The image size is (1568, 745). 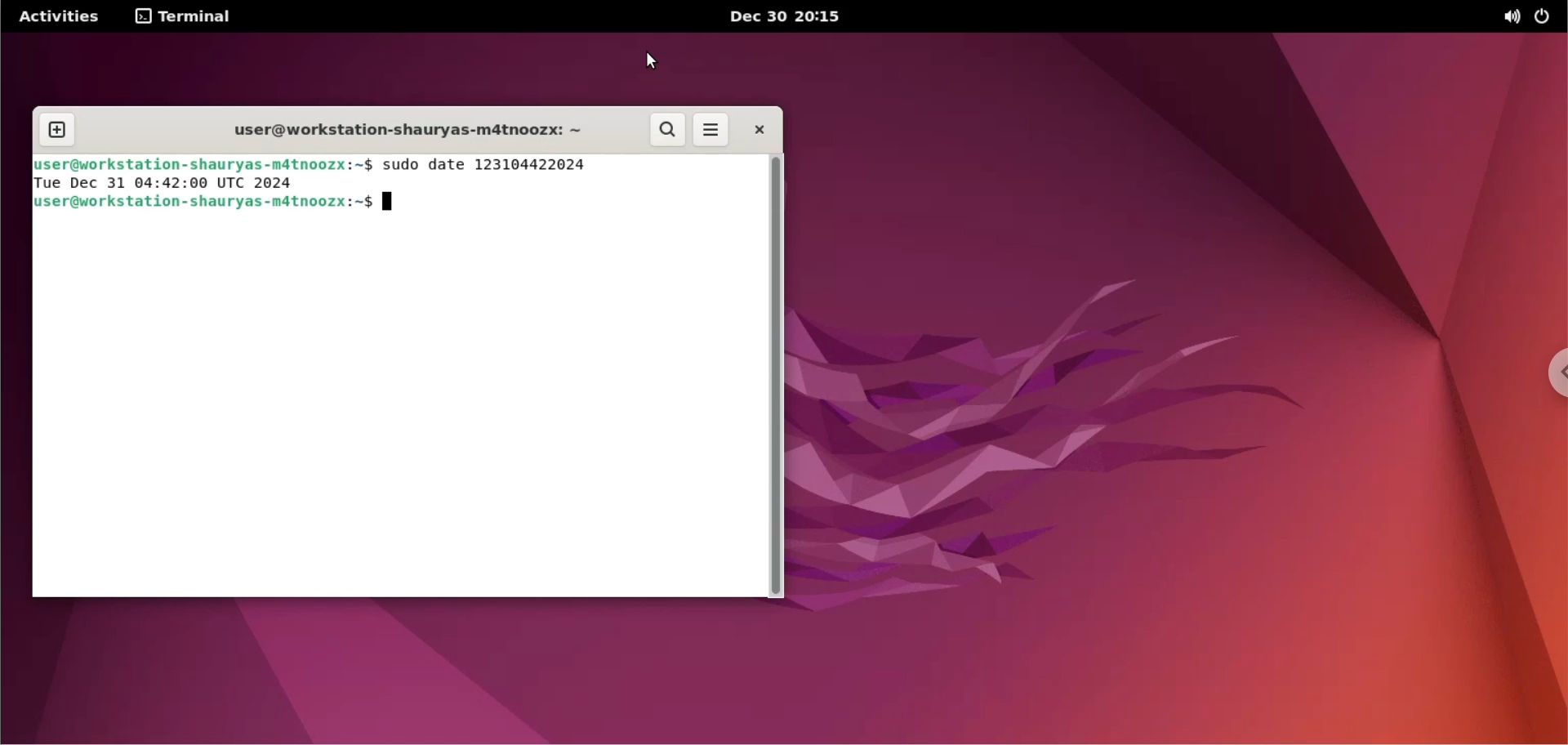 I want to click on Tue Dec 31 04:42:00 UTC 2024, so click(x=172, y=184).